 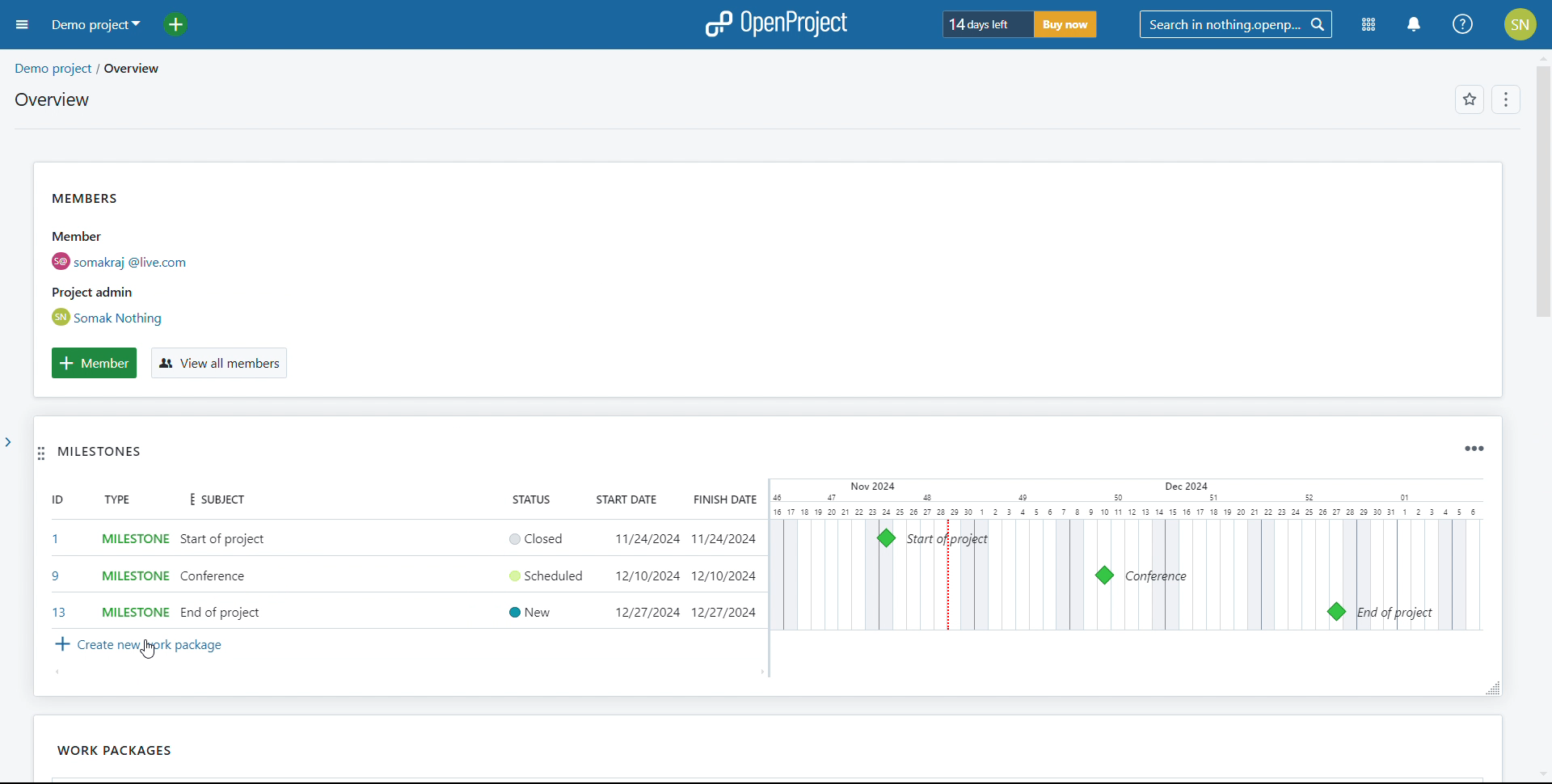 What do you see at coordinates (185, 24) in the screenshot?
I see `add project` at bounding box center [185, 24].